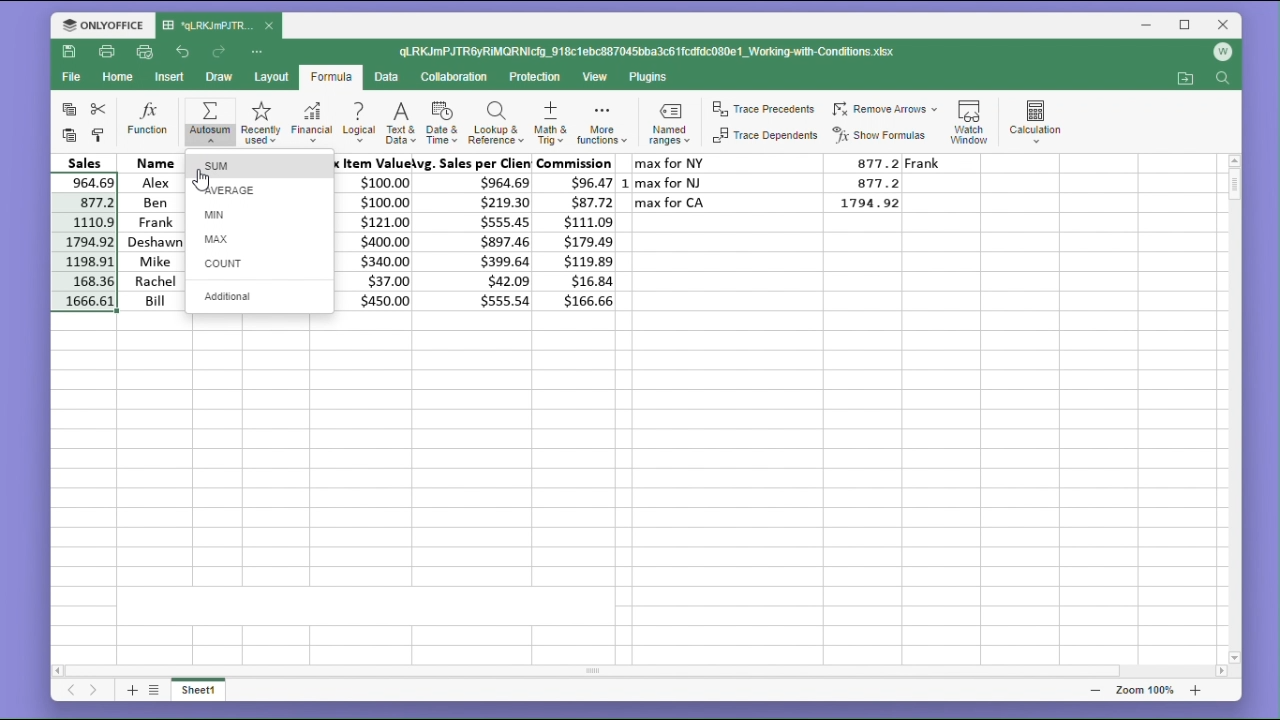 This screenshot has height=720, width=1280. I want to click on insert, so click(172, 77).